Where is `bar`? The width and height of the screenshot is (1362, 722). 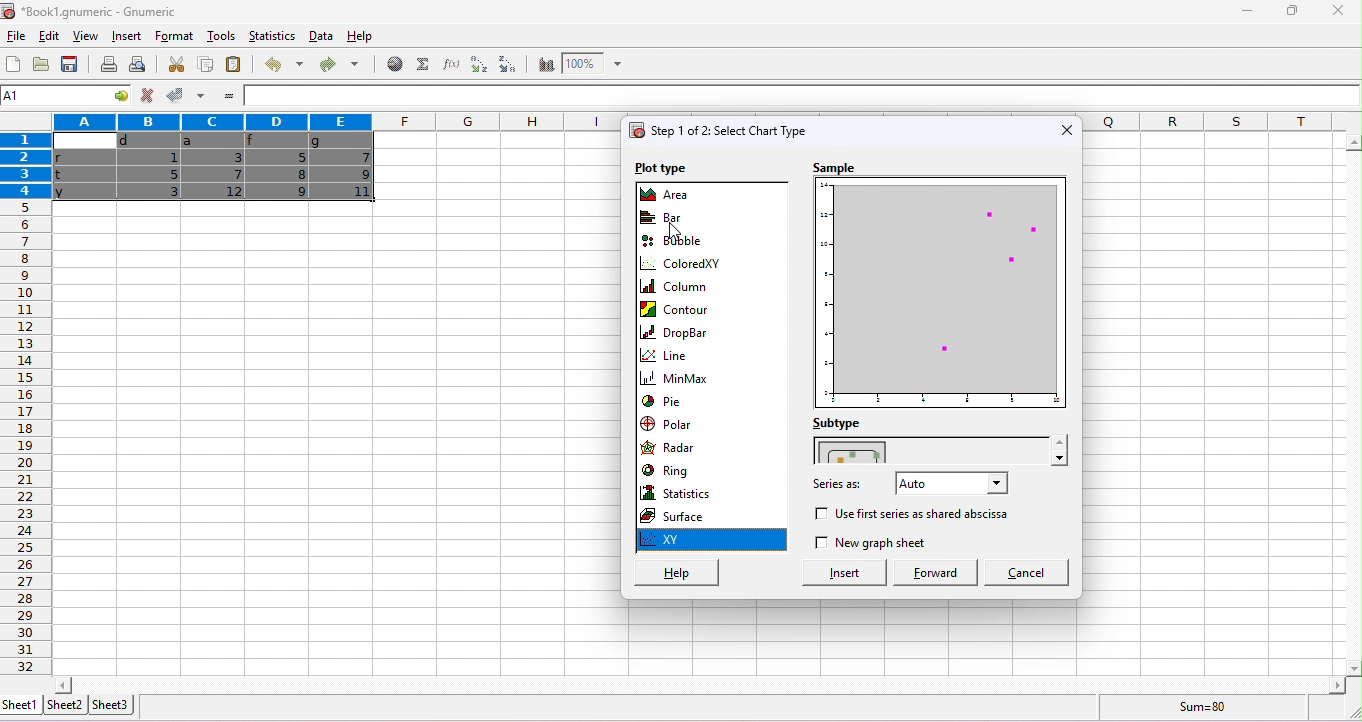 bar is located at coordinates (677, 216).